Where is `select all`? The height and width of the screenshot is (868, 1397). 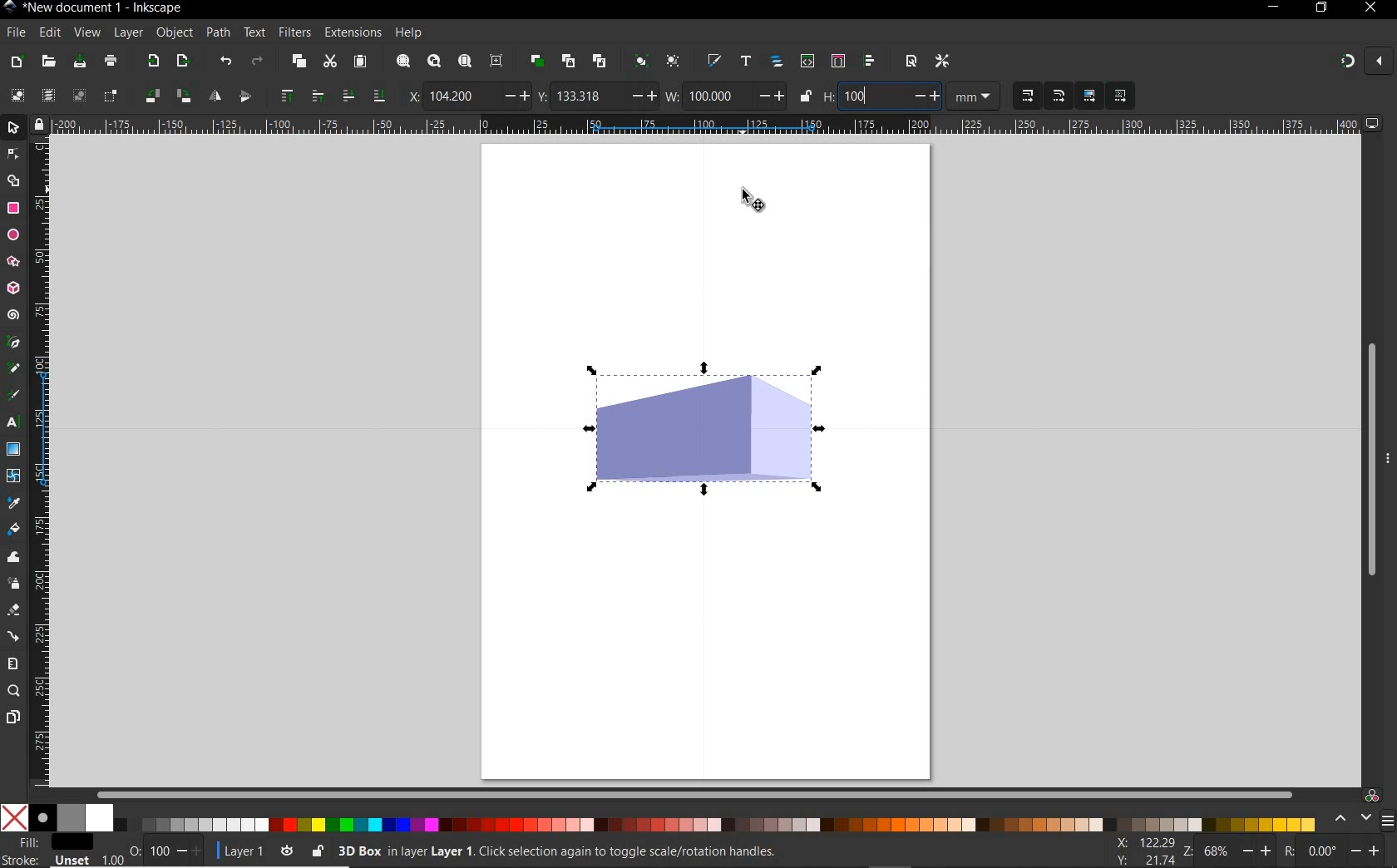 select all is located at coordinates (18, 93).